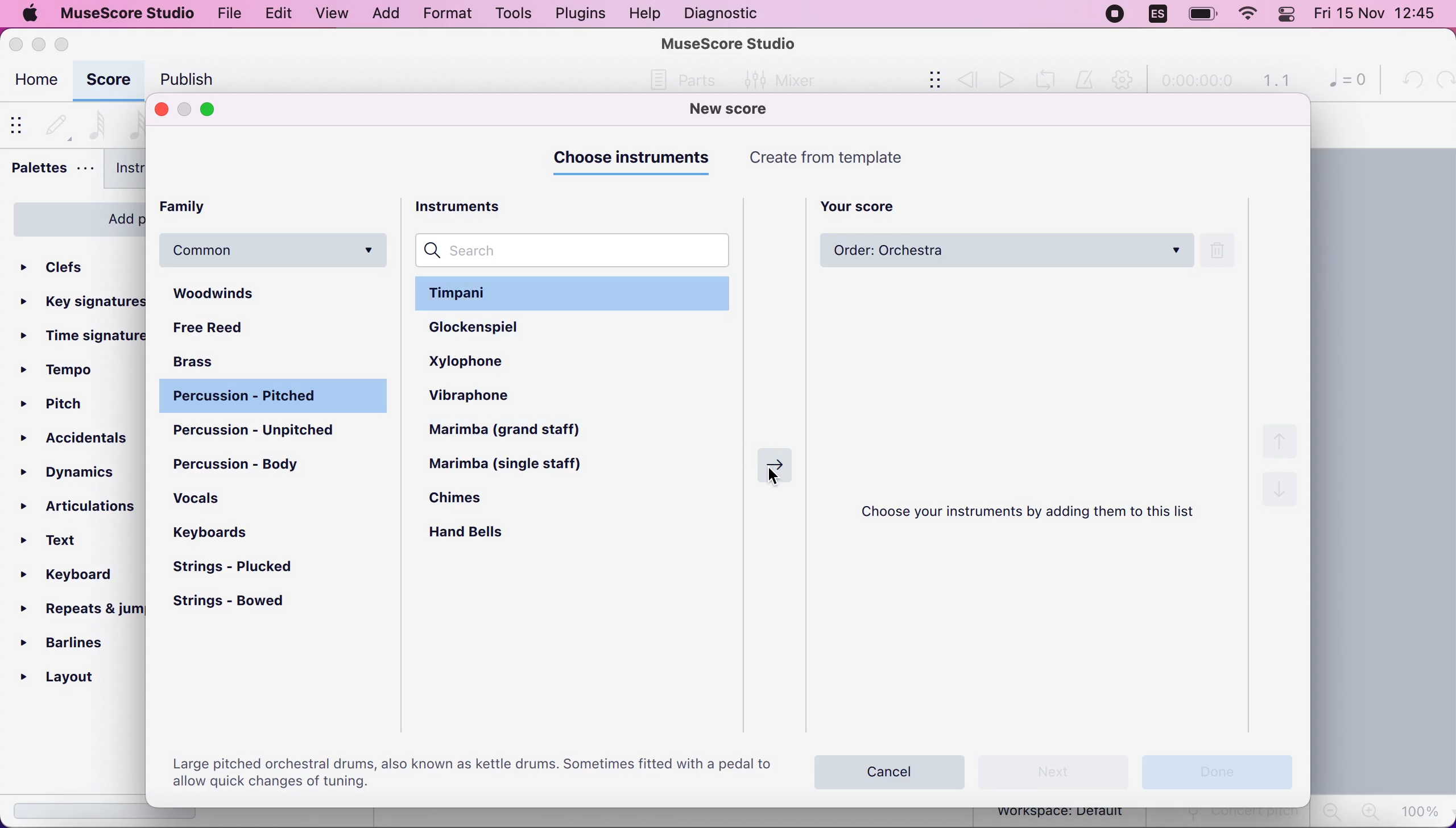  Describe the element at coordinates (62, 370) in the screenshot. I see `tempo` at that location.